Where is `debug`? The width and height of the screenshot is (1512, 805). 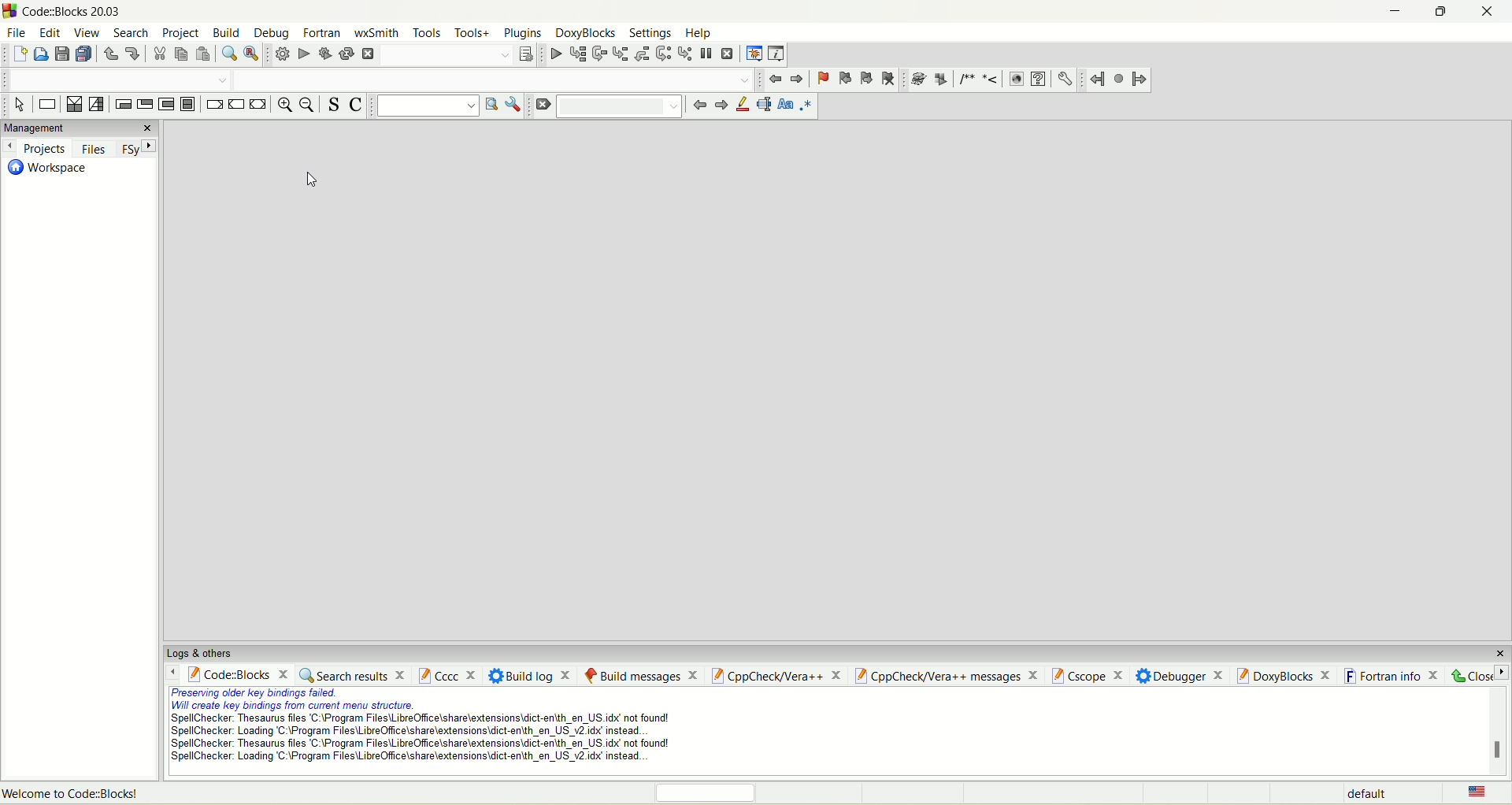
debug is located at coordinates (269, 32).